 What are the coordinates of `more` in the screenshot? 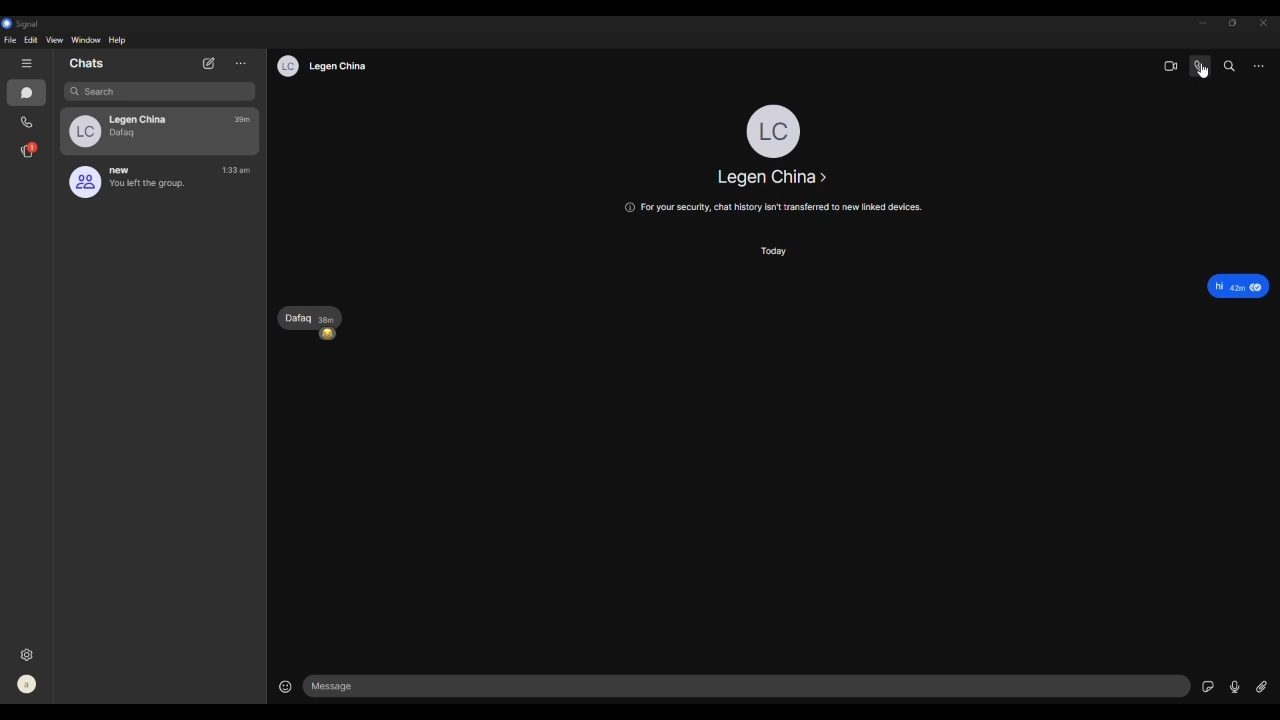 It's located at (1257, 67).